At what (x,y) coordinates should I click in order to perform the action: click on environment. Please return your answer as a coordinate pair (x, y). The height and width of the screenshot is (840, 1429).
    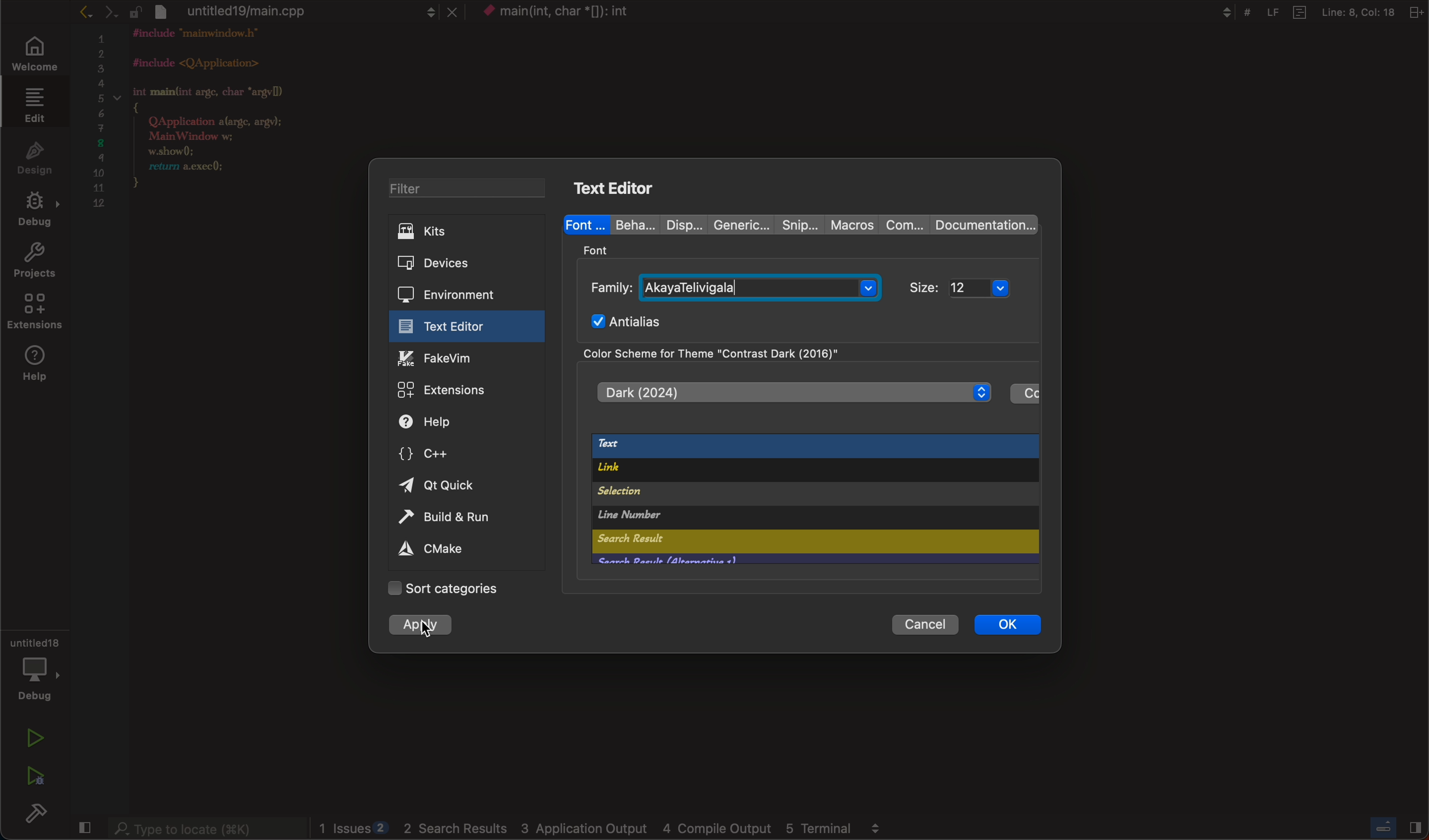
    Looking at the image, I should click on (457, 293).